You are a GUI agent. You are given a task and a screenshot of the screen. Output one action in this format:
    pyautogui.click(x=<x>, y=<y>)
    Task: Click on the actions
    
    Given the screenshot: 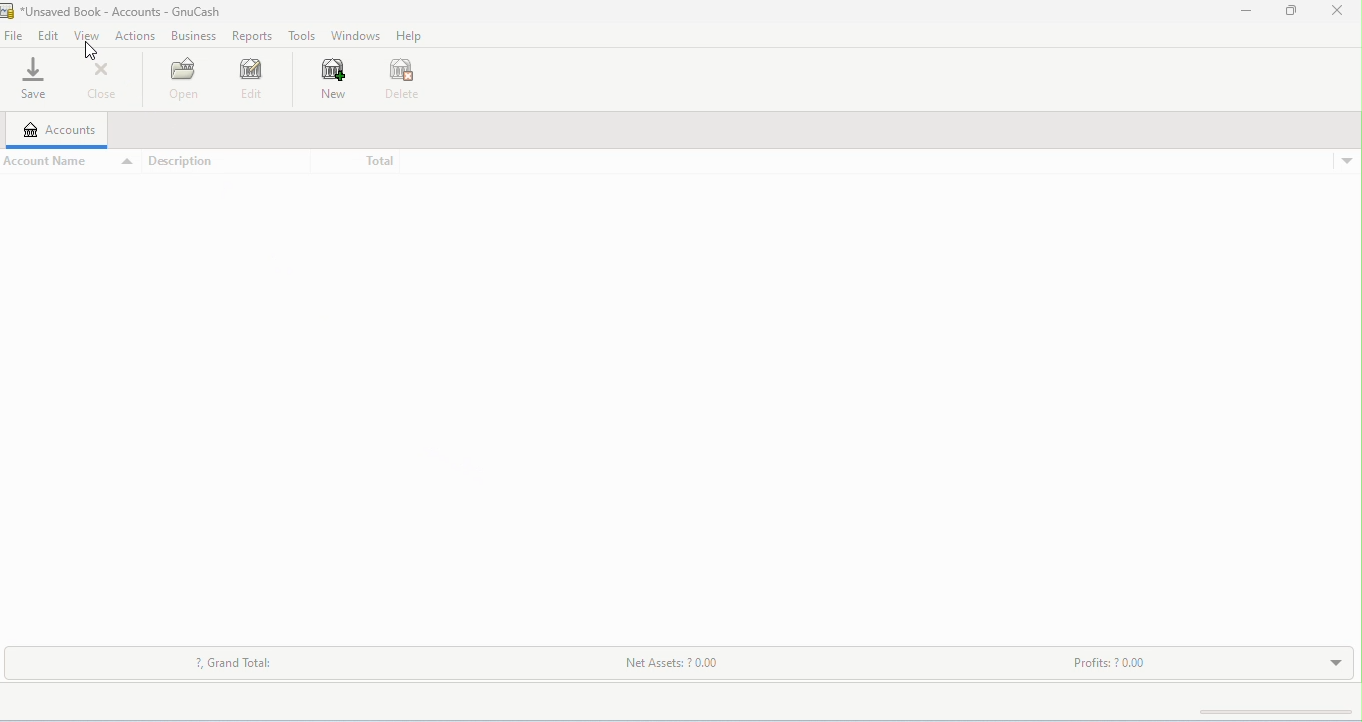 What is the action you would take?
    pyautogui.click(x=136, y=37)
    